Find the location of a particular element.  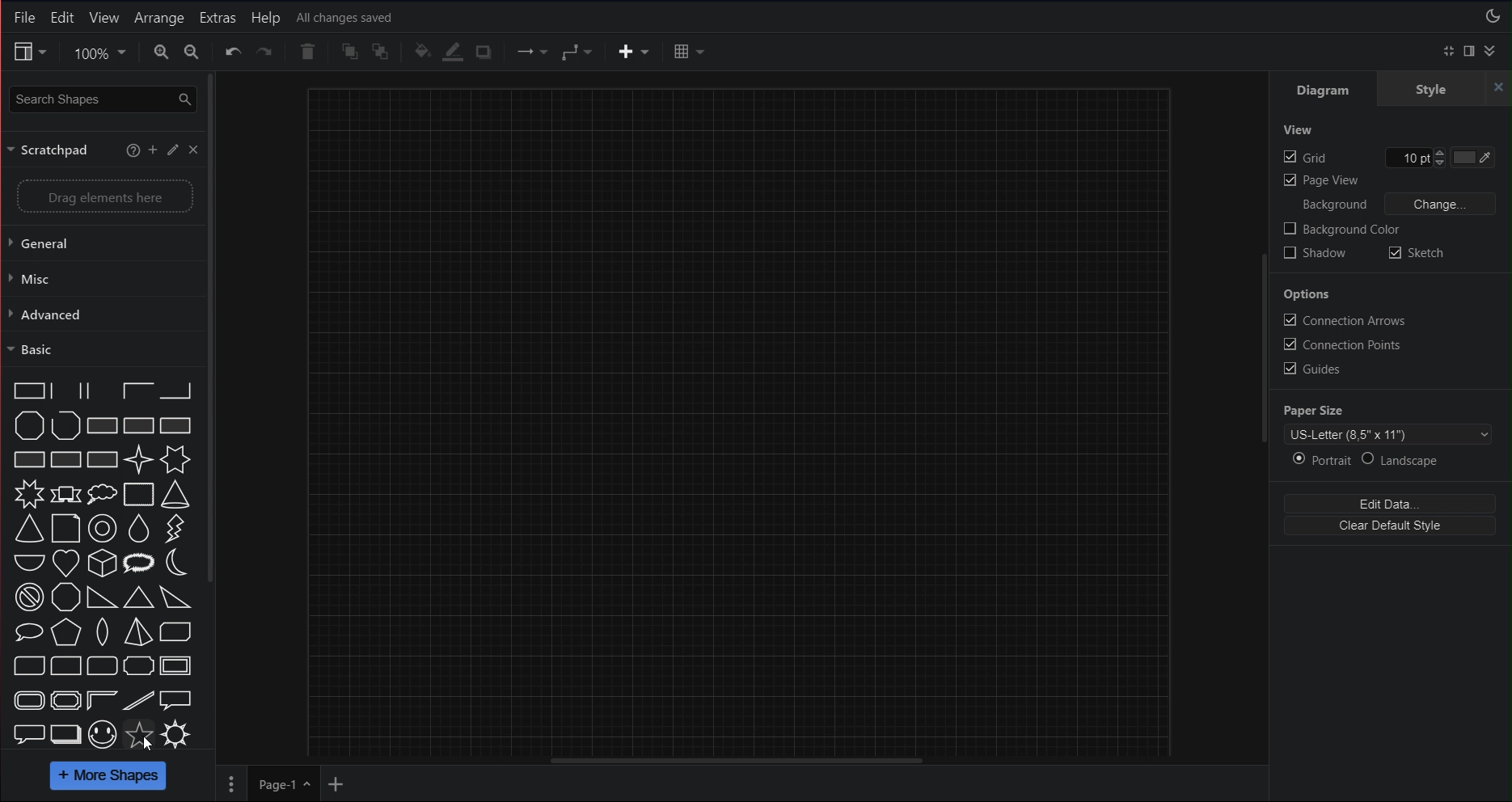

pointed oval is located at coordinates (103, 631).